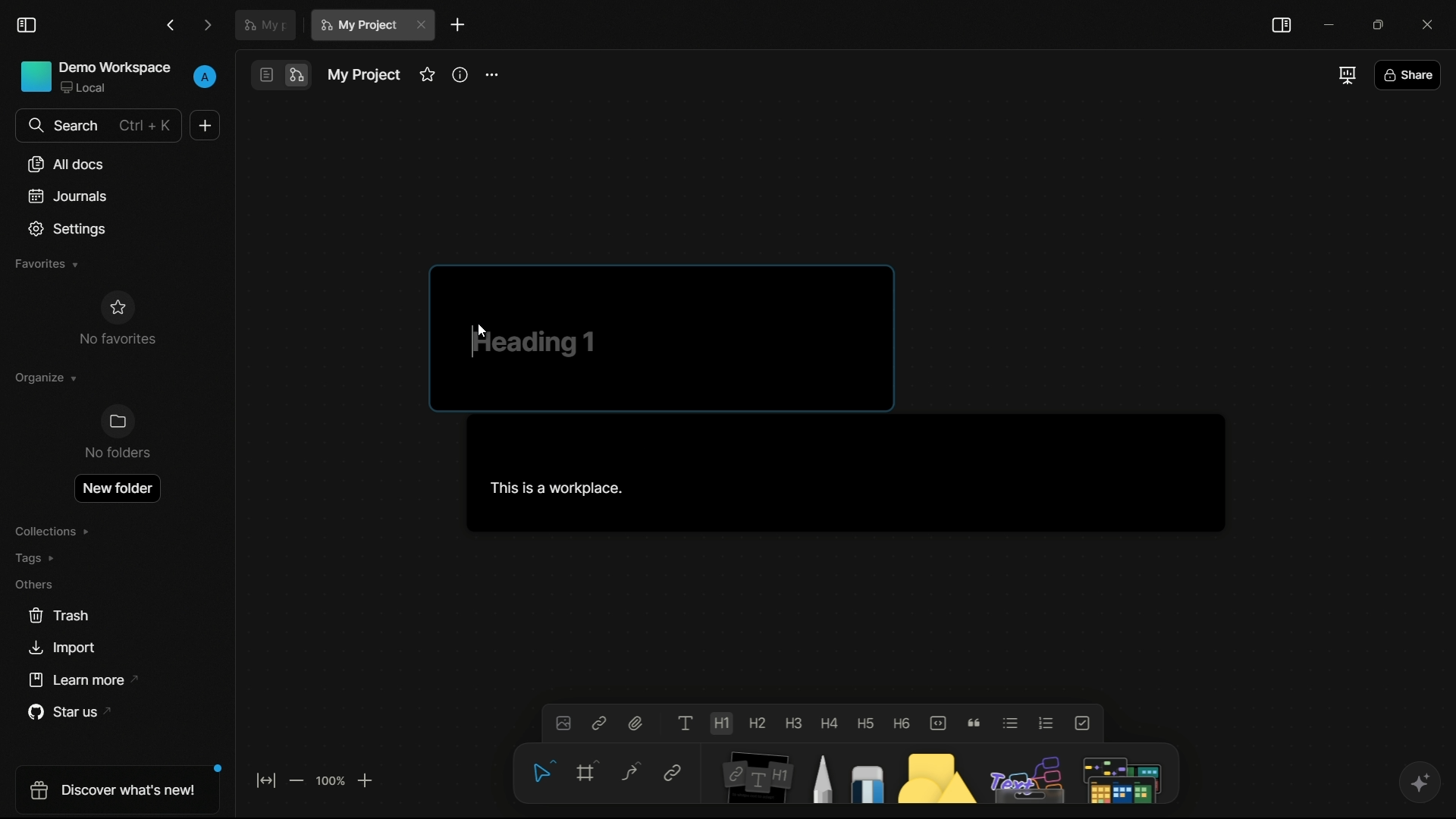  I want to click on share, so click(1410, 74).